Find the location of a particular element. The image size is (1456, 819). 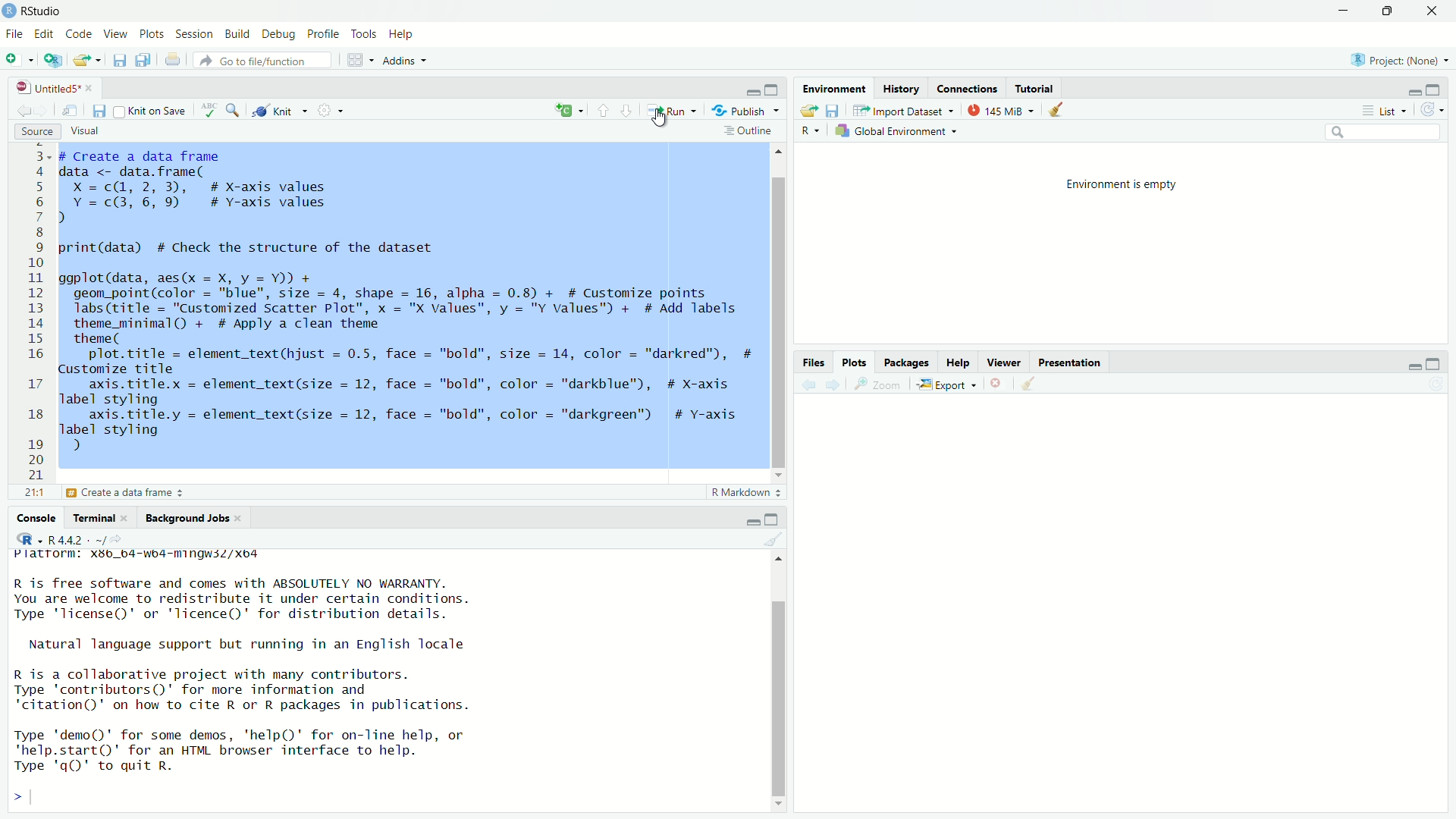

Help is located at coordinates (400, 33).